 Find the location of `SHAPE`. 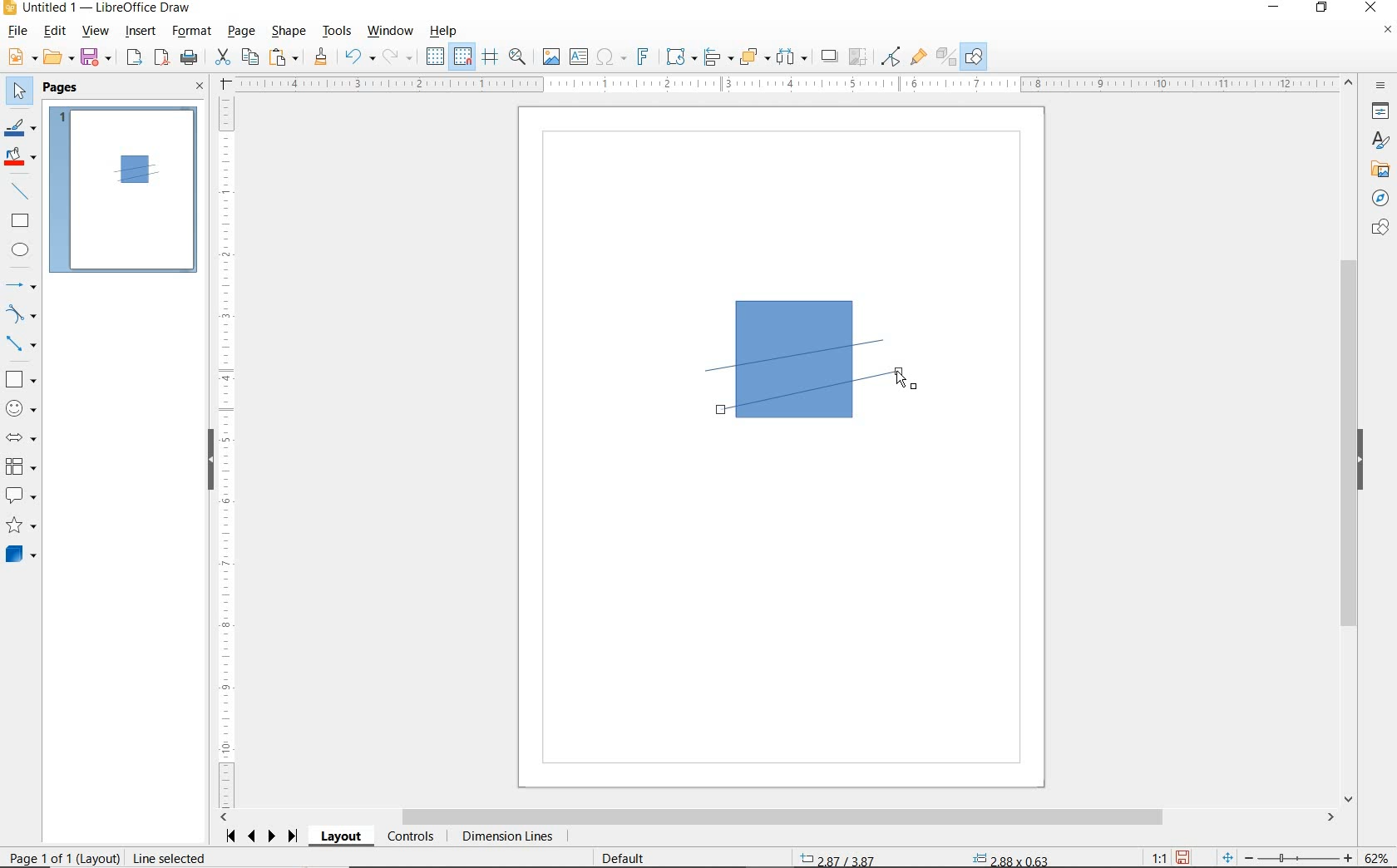

SHAPE is located at coordinates (289, 32).